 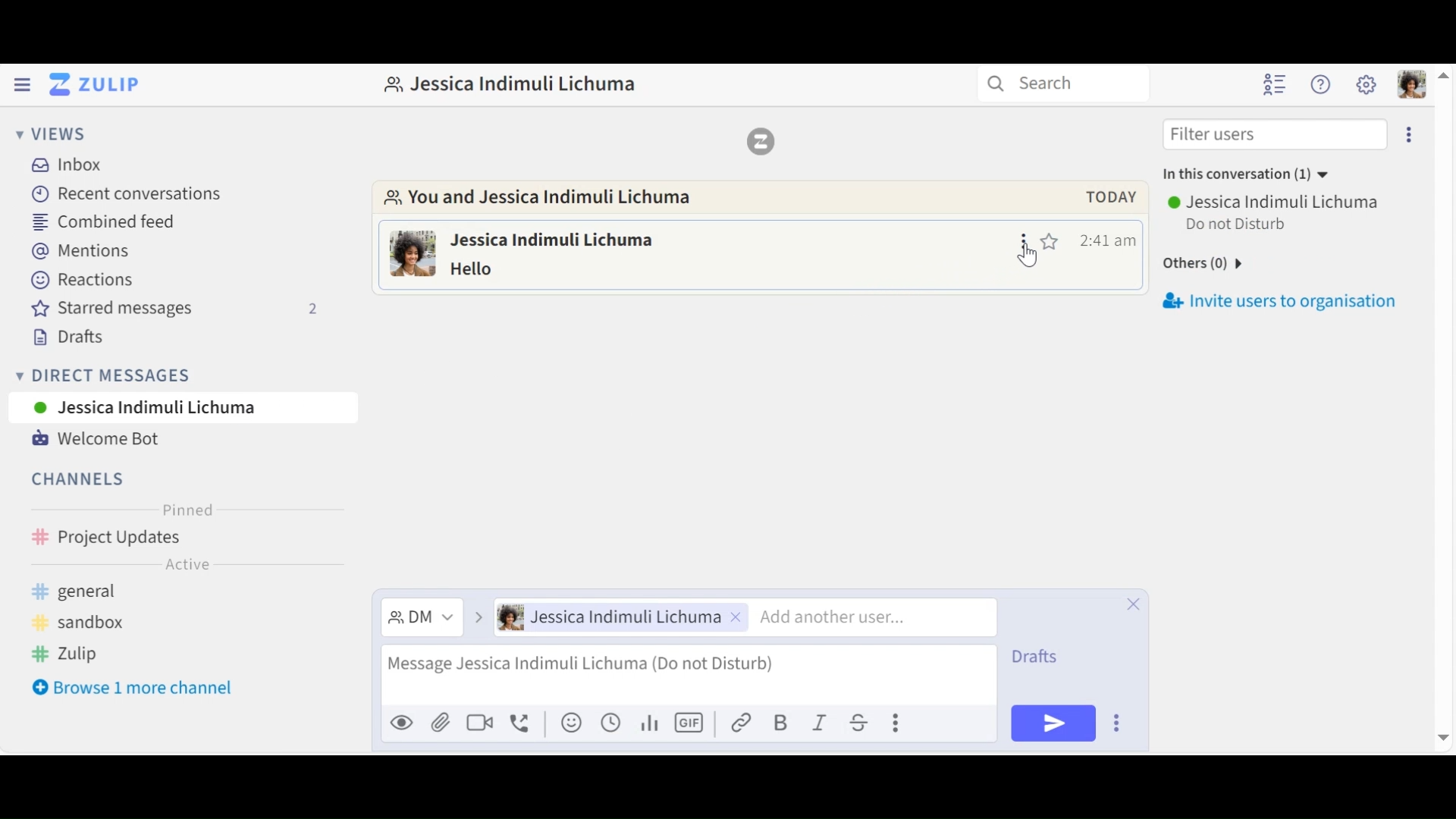 What do you see at coordinates (1053, 723) in the screenshot?
I see `Send` at bounding box center [1053, 723].